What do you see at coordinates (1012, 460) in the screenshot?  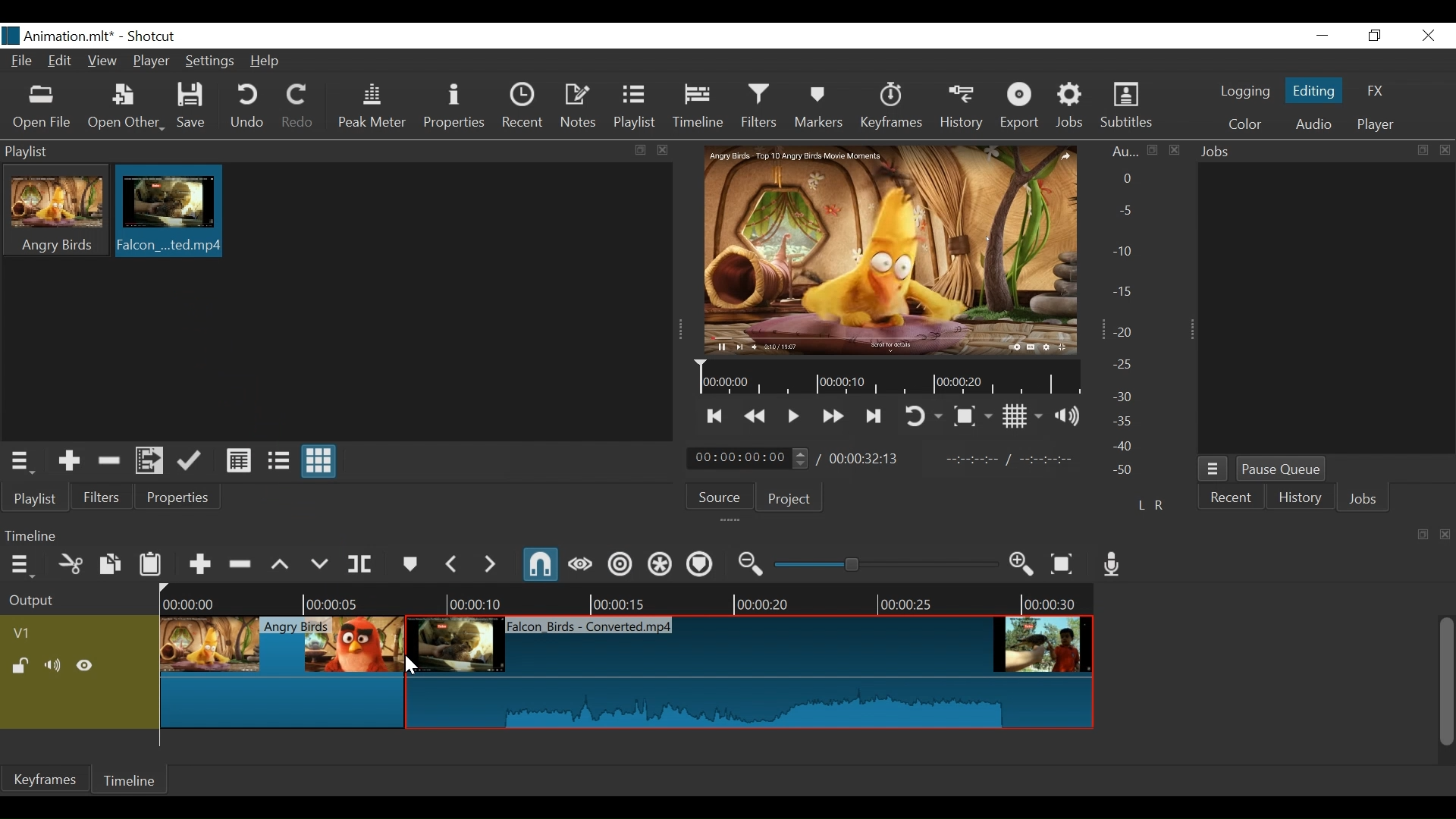 I see `In point` at bounding box center [1012, 460].